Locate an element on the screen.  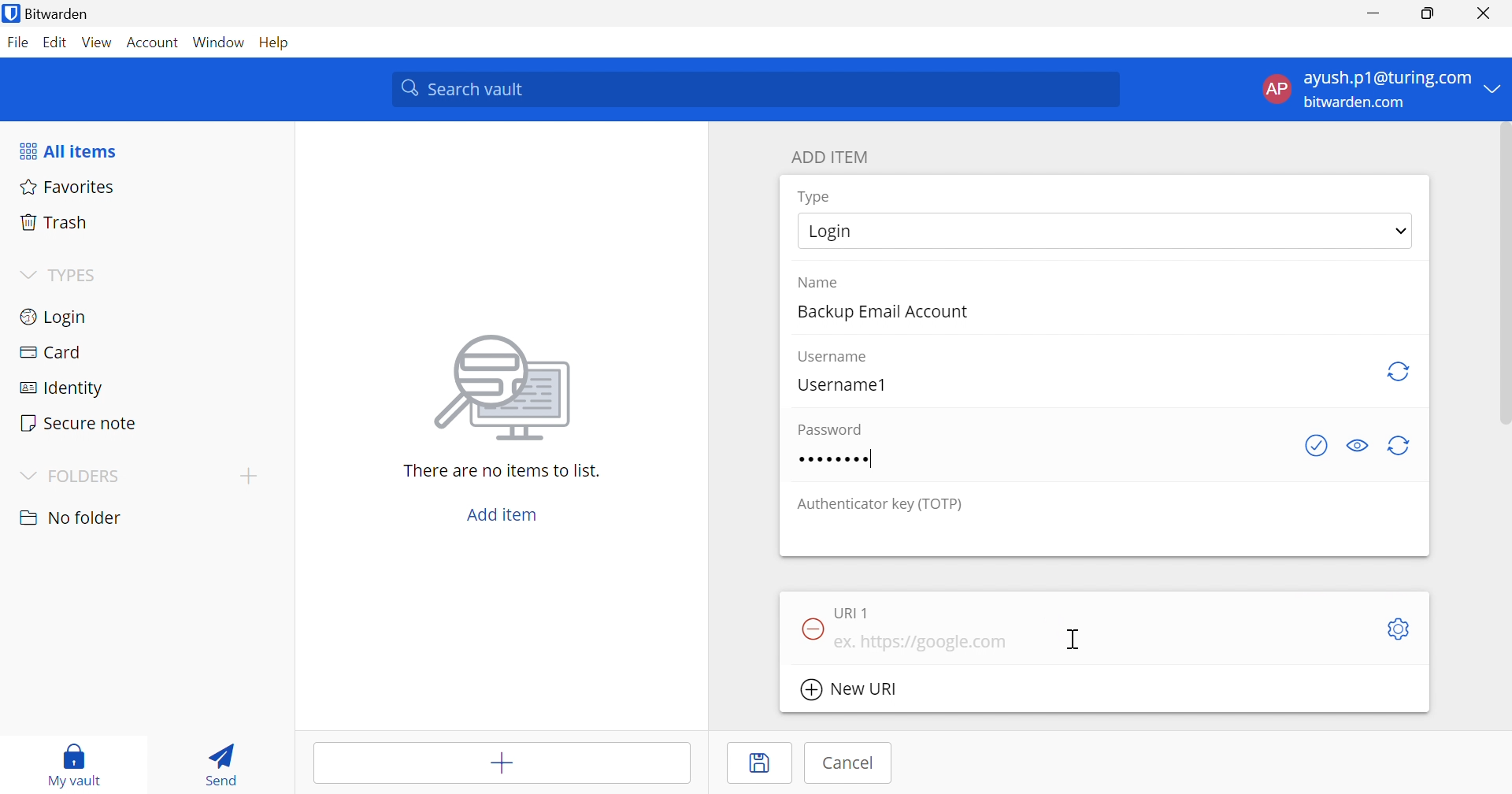
Cancel is located at coordinates (849, 763).